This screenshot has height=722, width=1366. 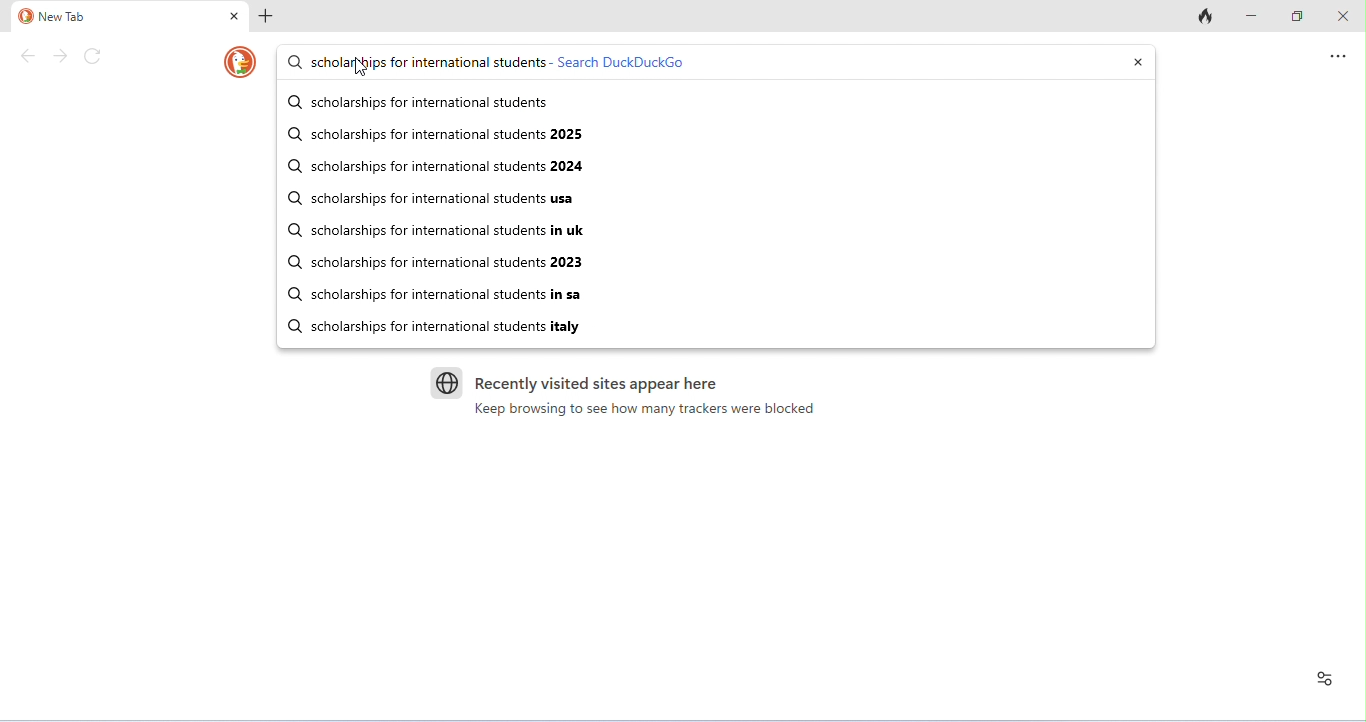 What do you see at coordinates (448, 327) in the screenshot?
I see `scholarships for international students italy` at bounding box center [448, 327].